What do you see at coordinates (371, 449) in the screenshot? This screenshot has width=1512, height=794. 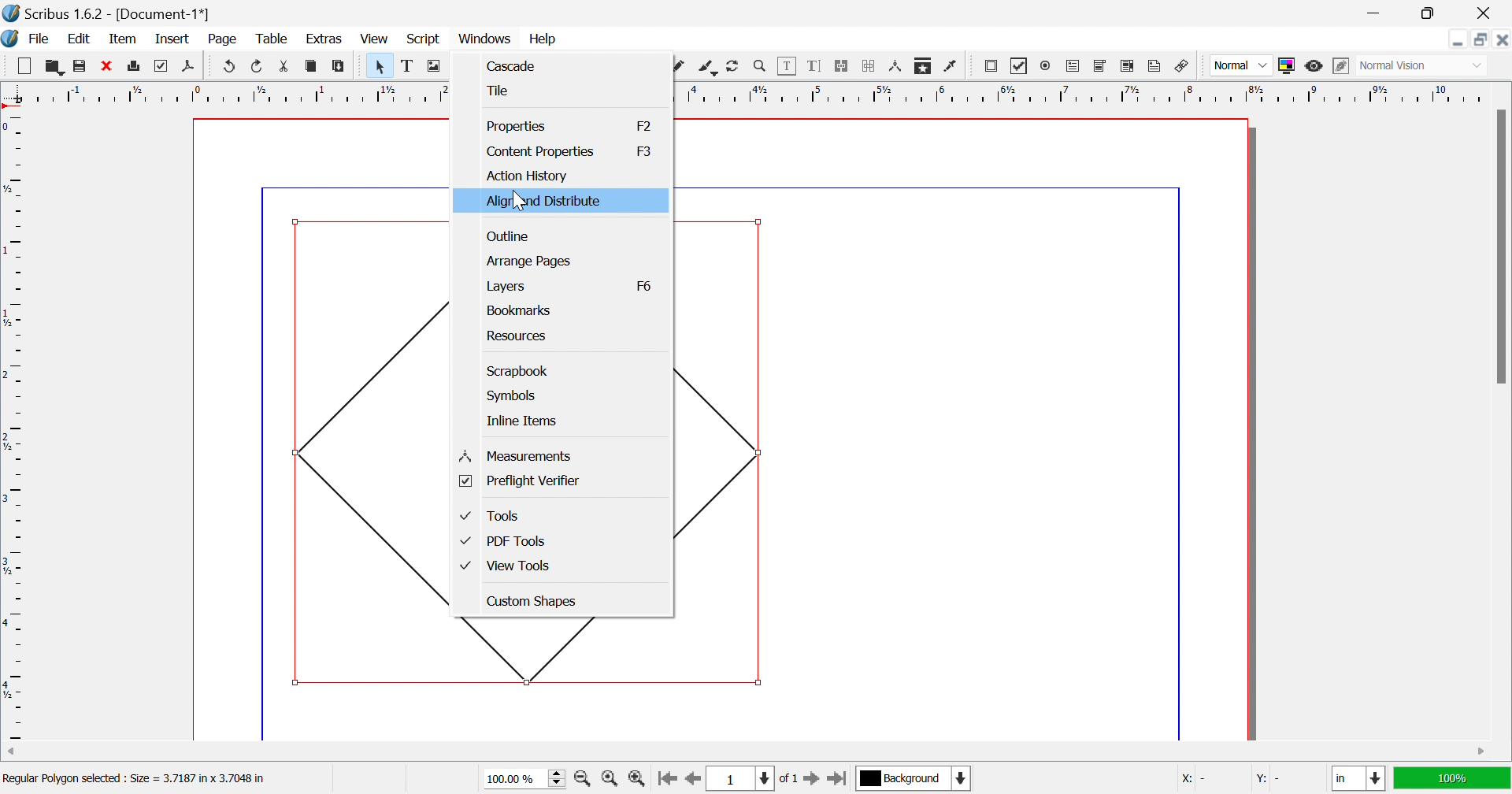 I see `Shape` at bounding box center [371, 449].